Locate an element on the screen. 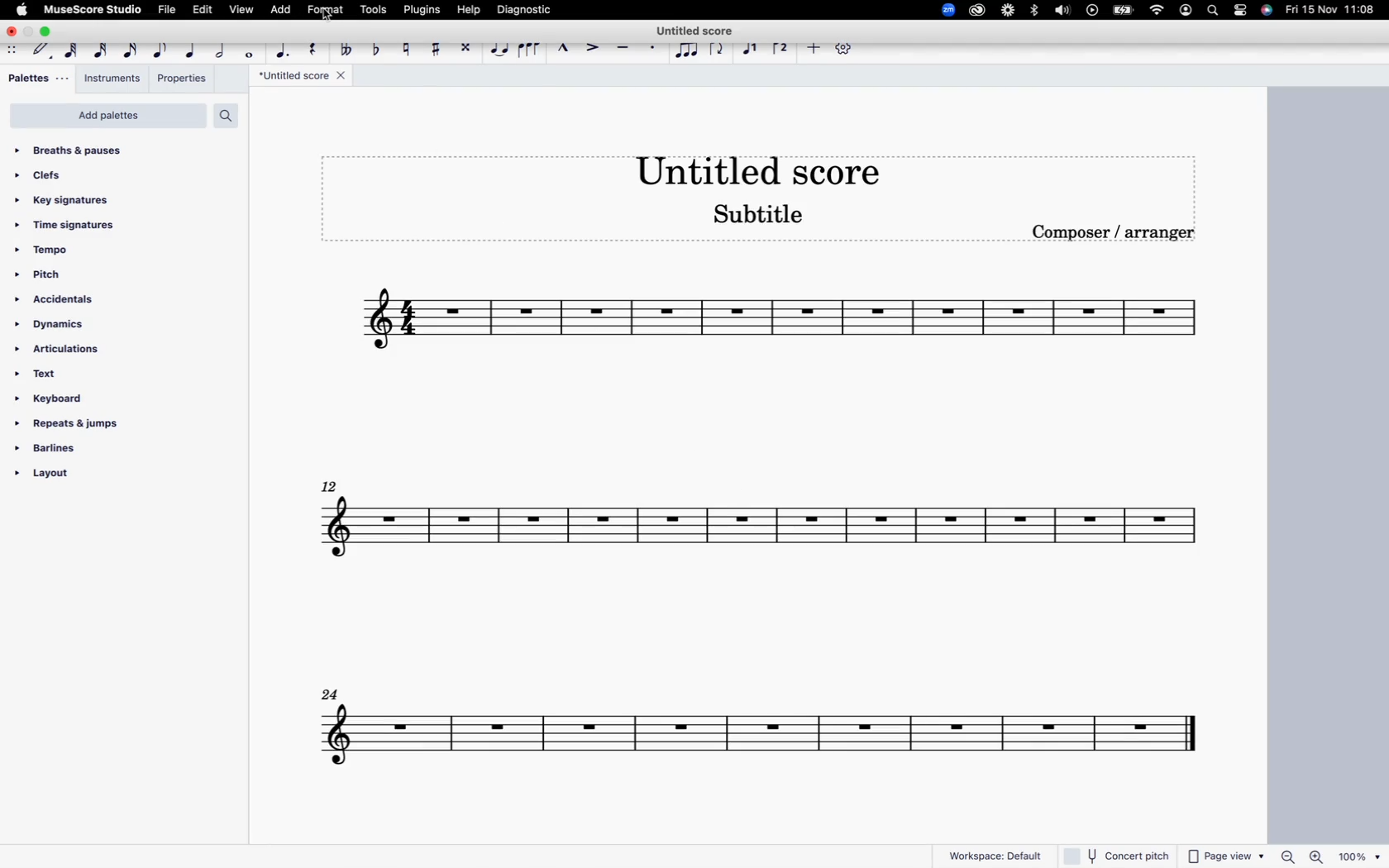 The height and width of the screenshot is (868, 1389). minimize is located at coordinates (29, 31).